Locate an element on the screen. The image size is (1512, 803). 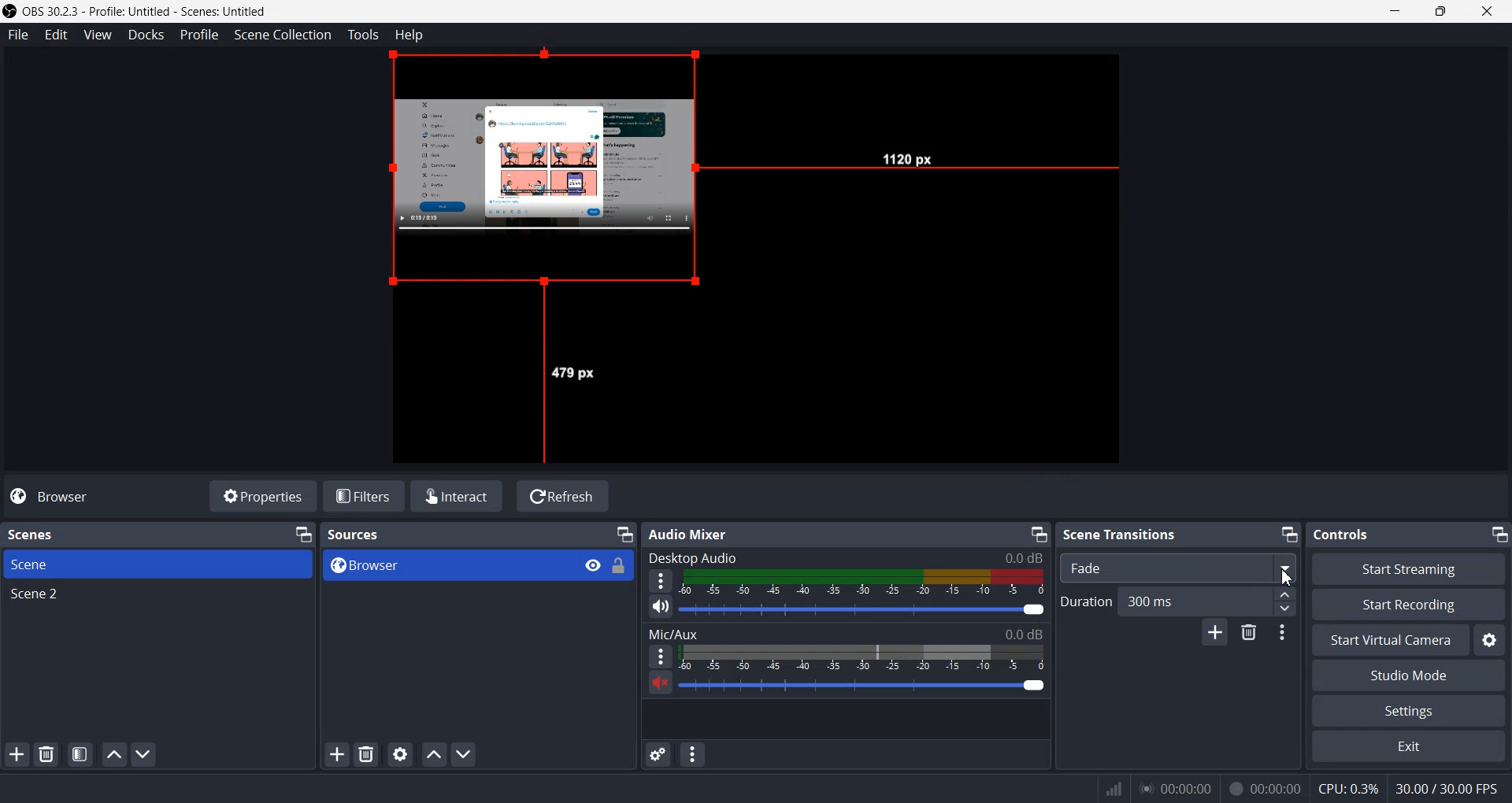
 is located at coordinates (908, 157).